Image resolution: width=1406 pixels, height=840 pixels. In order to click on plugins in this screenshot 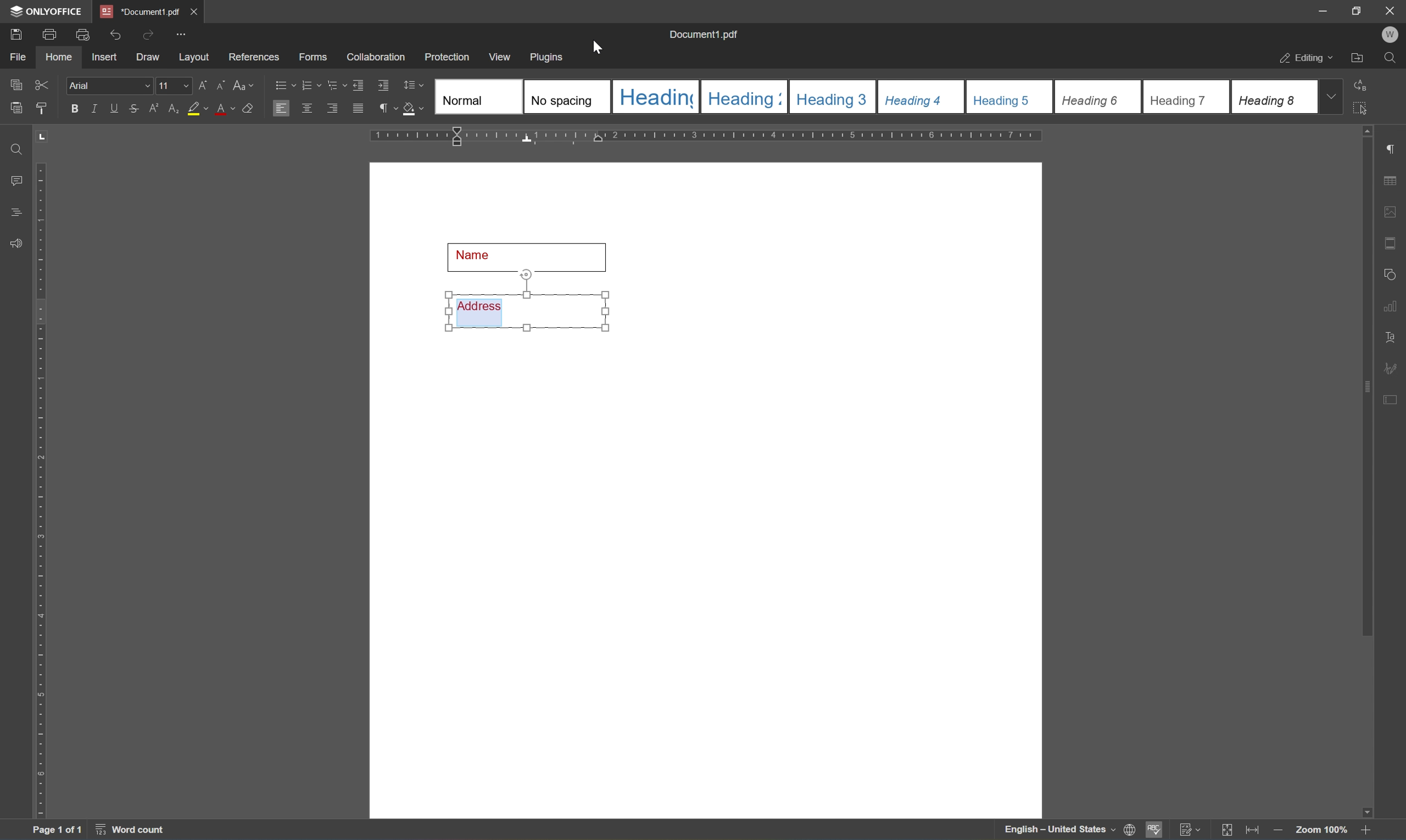, I will do `click(551, 56)`.